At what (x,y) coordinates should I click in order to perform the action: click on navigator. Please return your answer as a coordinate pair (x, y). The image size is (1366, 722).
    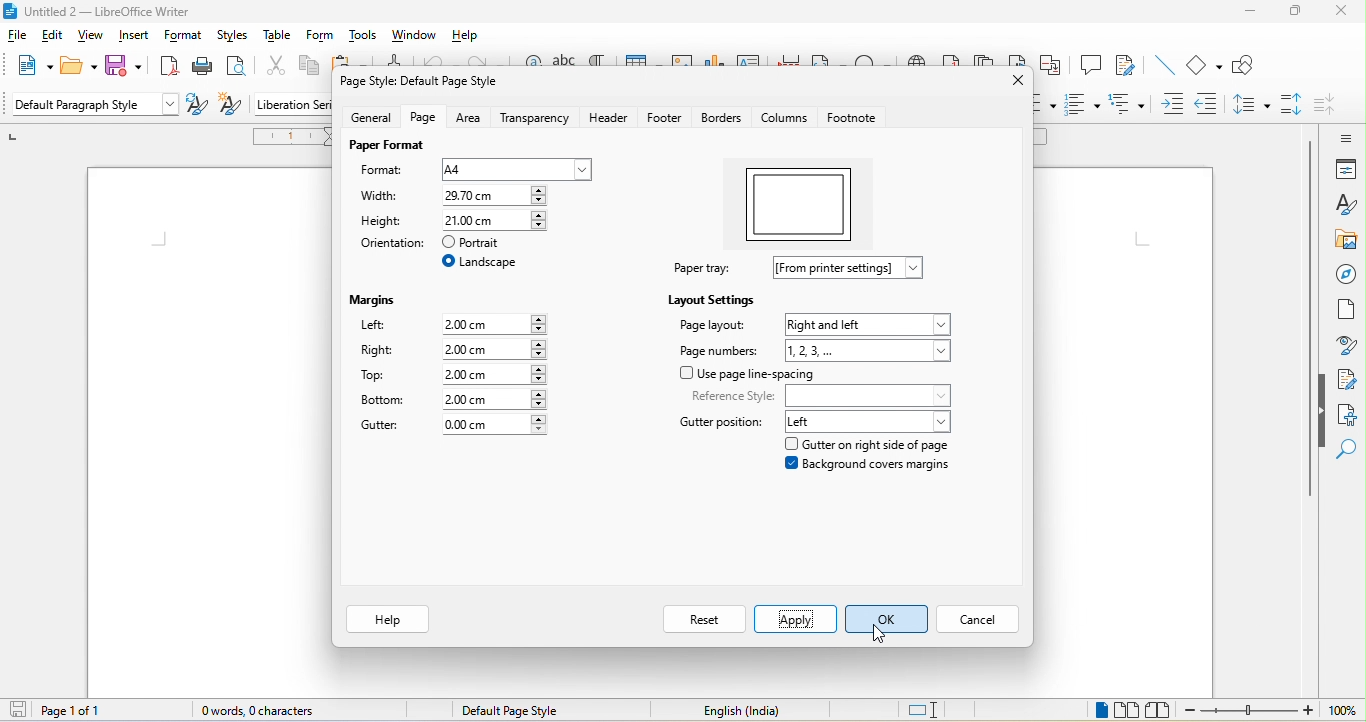
    Looking at the image, I should click on (1346, 275).